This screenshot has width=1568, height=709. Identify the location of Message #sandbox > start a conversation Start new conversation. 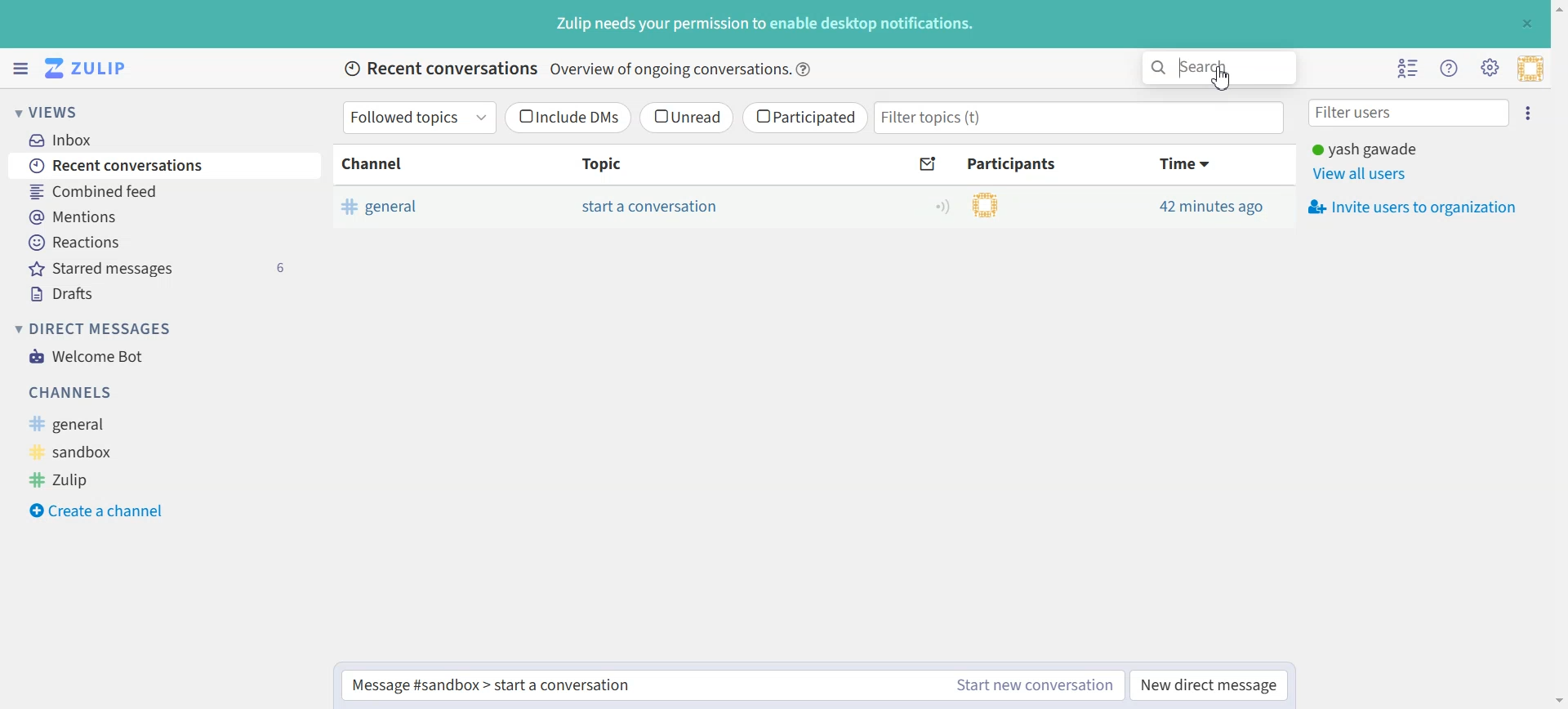
(732, 685).